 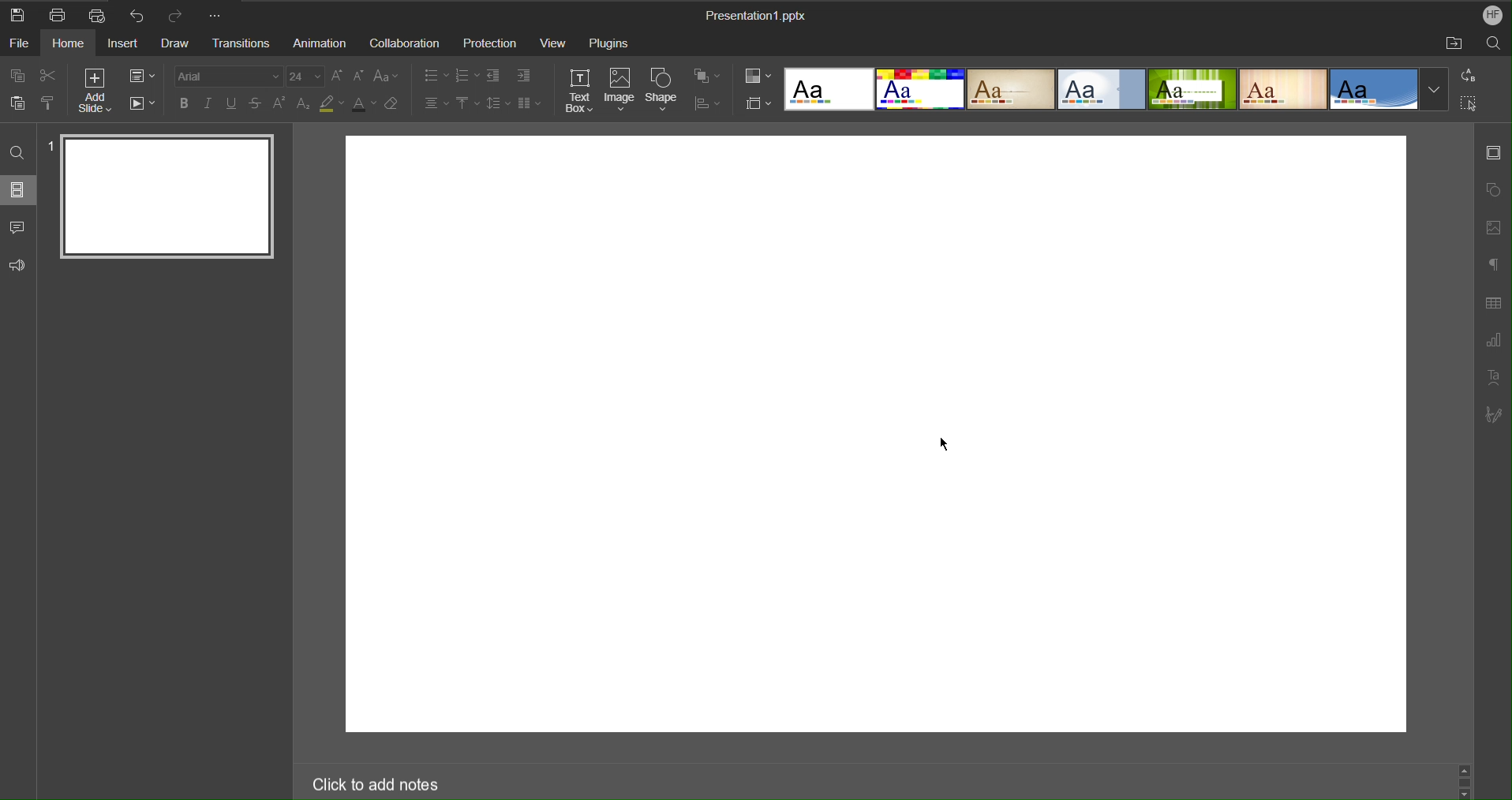 What do you see at coordinates (19, 227) in the screenshot?
I see `Comments` at bounding box center [19, 227].